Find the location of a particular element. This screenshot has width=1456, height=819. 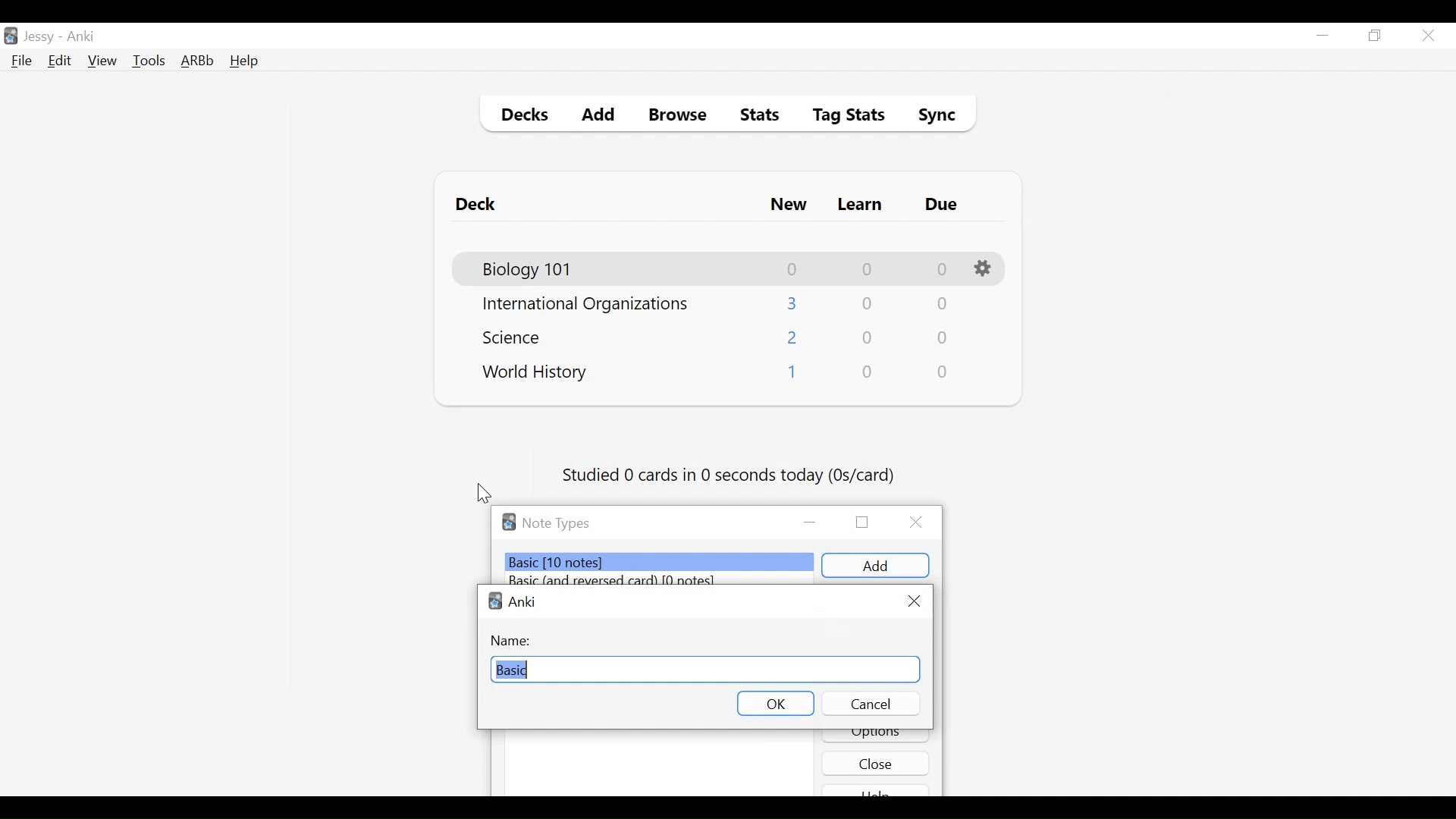

User Nmae is located at coordinates (42, 37).